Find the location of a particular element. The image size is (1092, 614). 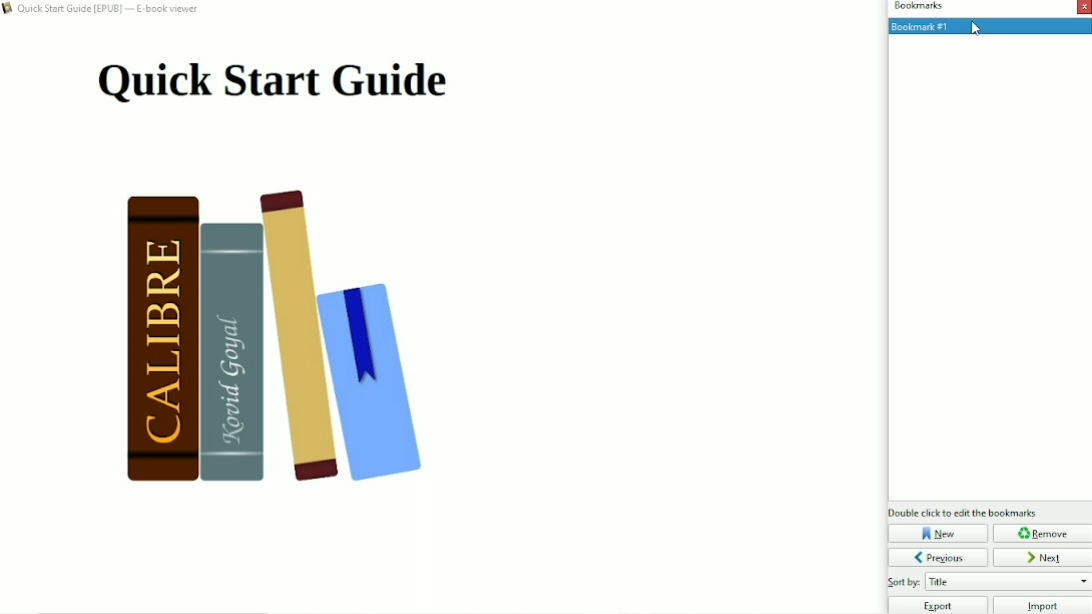

Sort by is located at coordinates (1008, 582).